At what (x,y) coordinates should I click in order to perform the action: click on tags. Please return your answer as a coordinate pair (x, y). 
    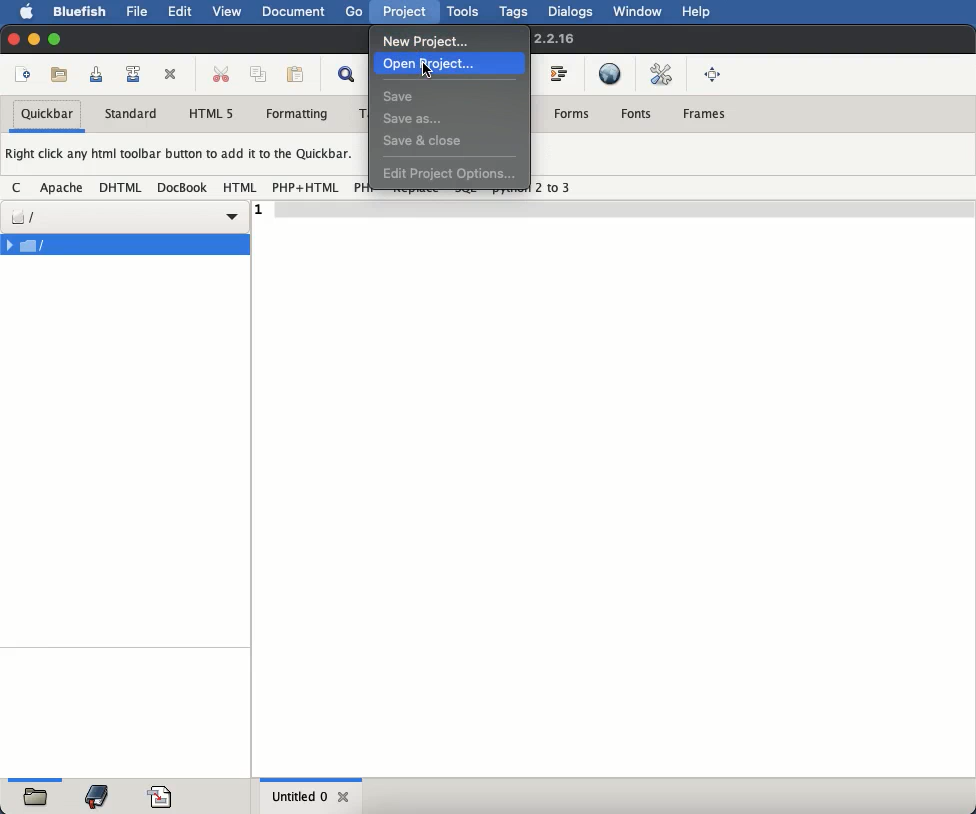
    Looking at the image, I should click on (517, 11).